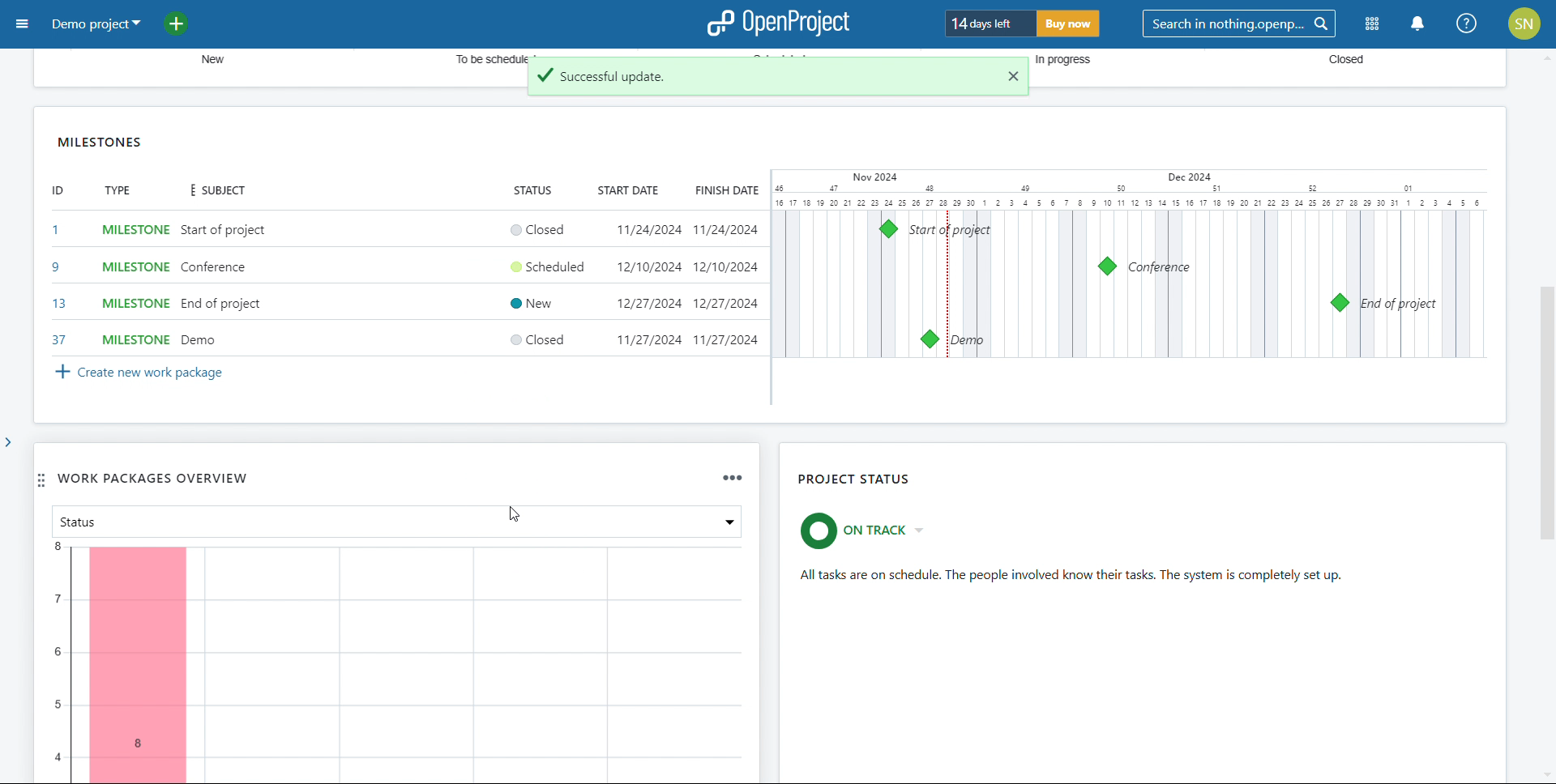 The width and height of the screenshot is (1556, 784). I want to click on set status, so click(528, 266).